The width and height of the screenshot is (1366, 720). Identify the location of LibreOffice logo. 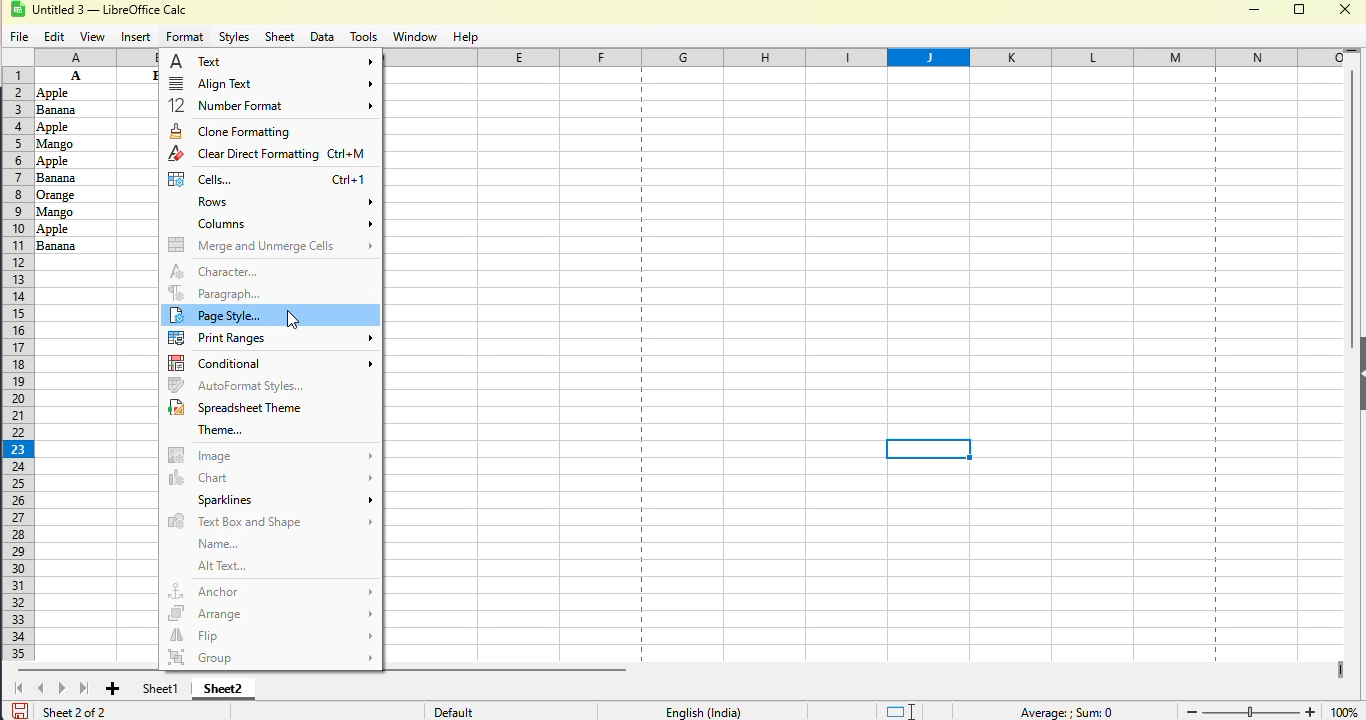
(29, 9).